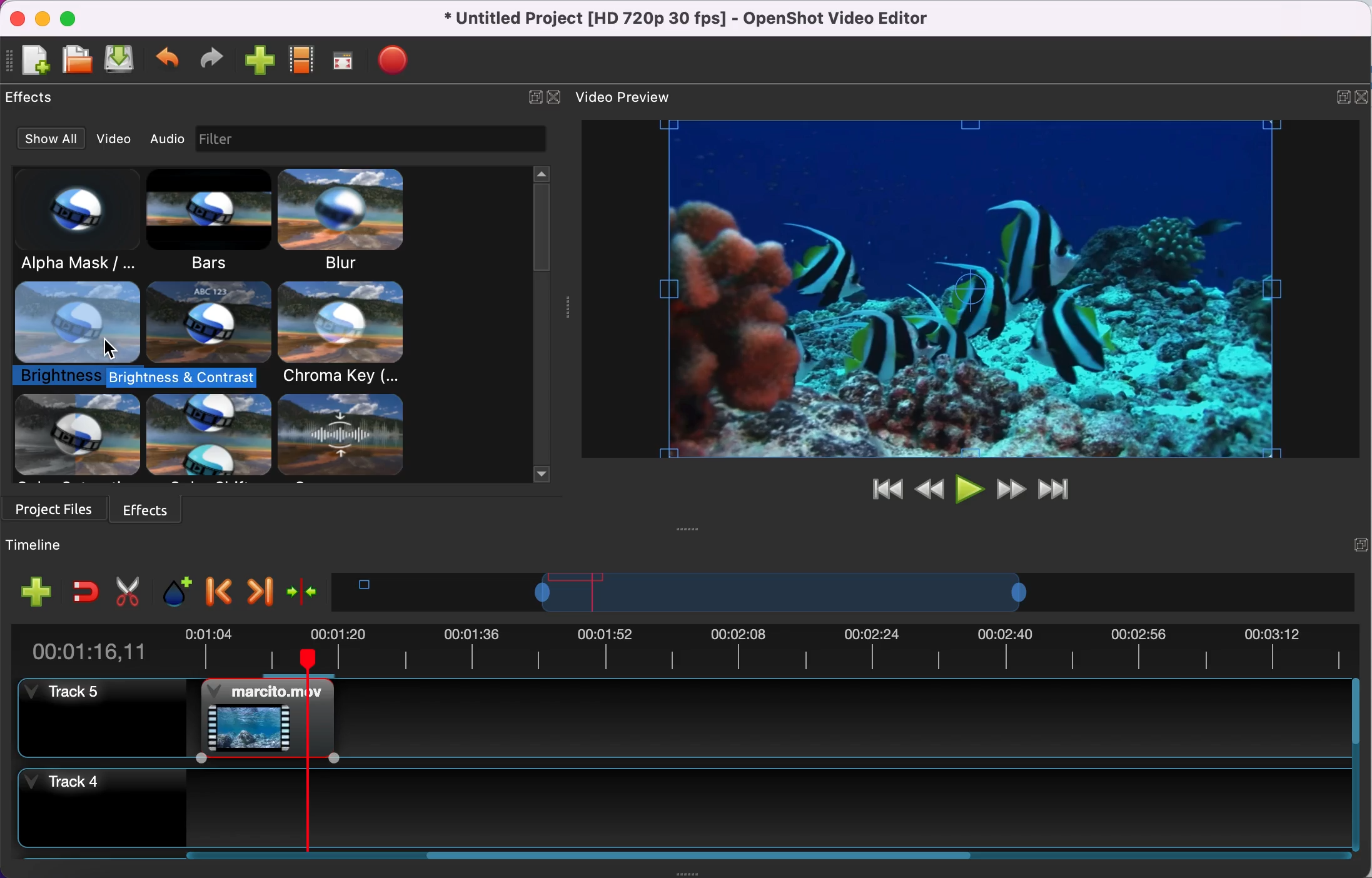 Image resolution: width=1372 pixels, height=878 pixels. What do you see at coordinates (109, 138) in the screenshot?
I see `video` at bounding box center [109, 138].